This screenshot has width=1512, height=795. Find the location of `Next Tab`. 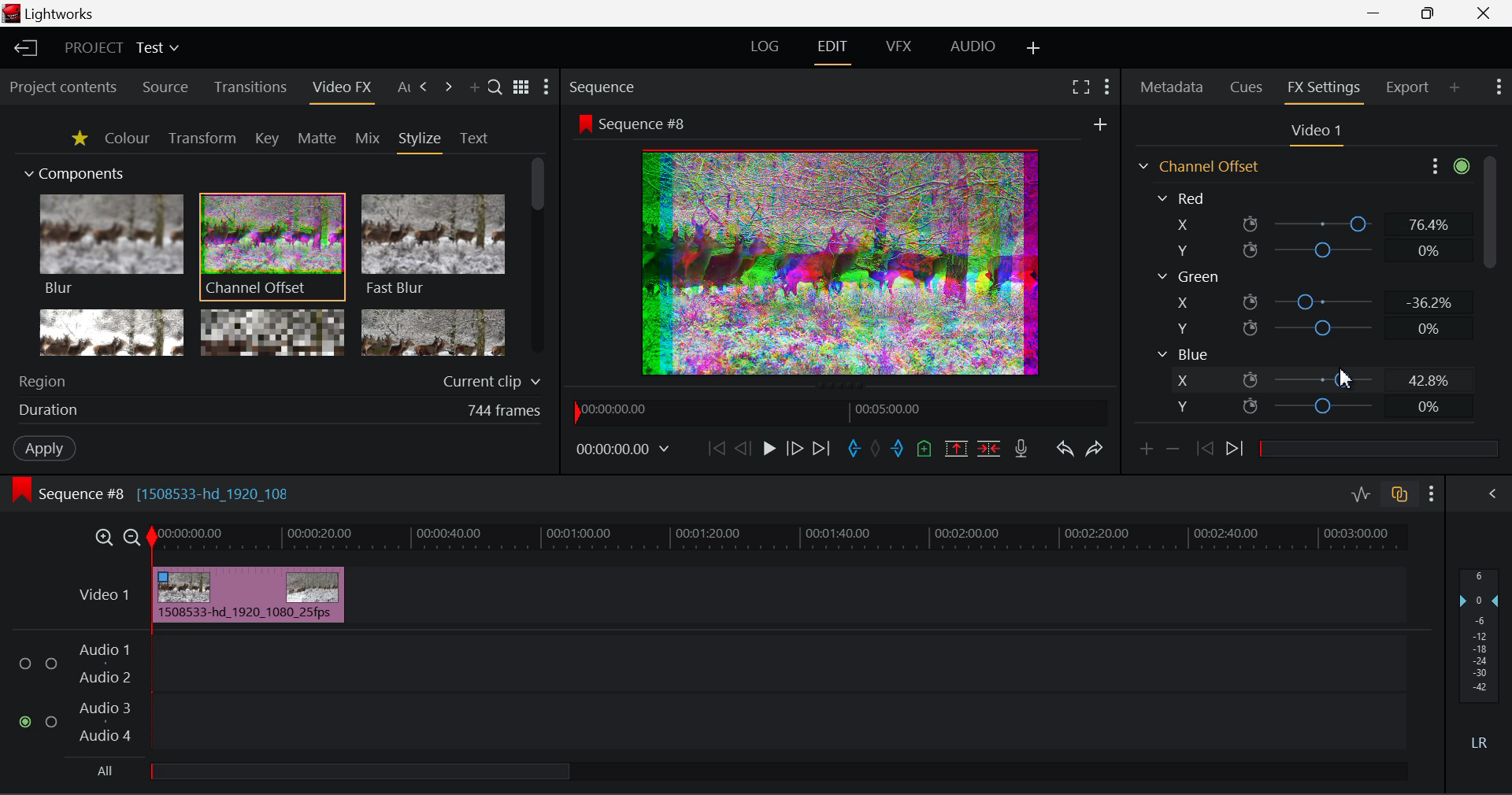

Next Tab is located at coordinates (425, 87).